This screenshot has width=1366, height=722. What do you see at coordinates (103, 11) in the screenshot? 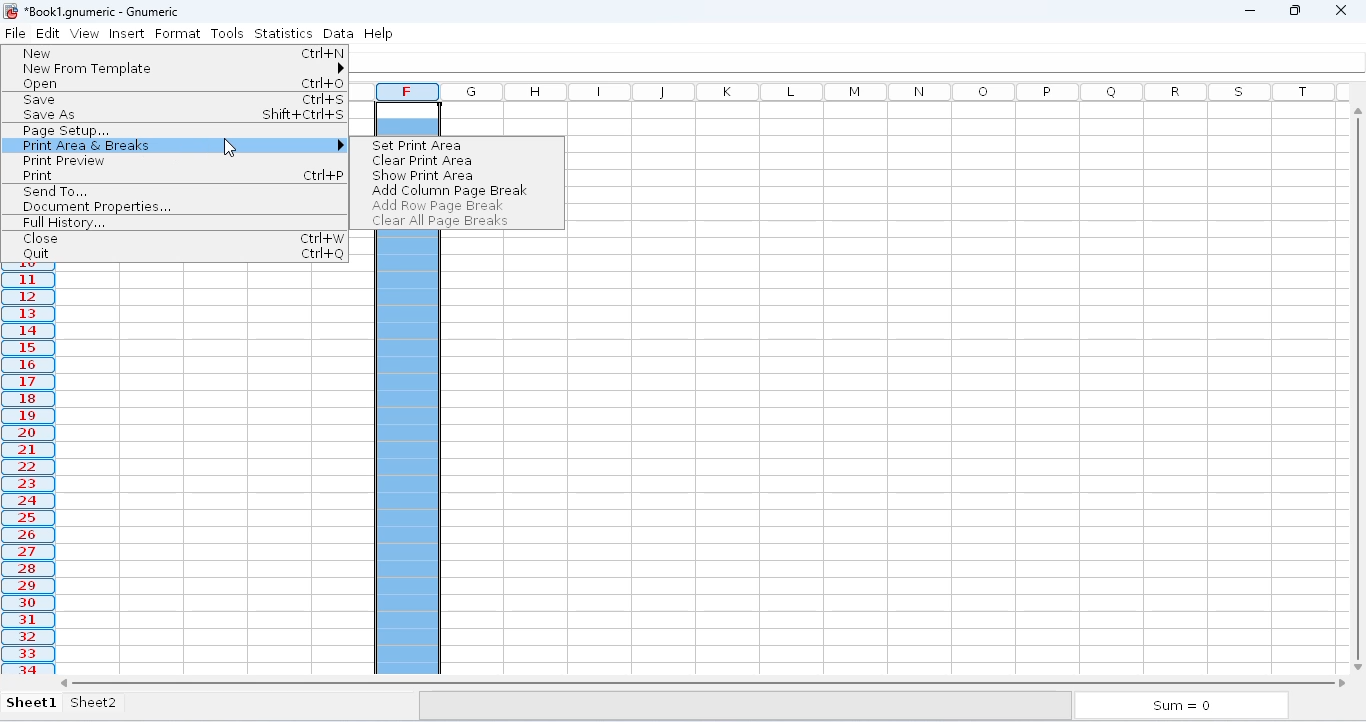
I see `Book1 numeric - Gnumeric` at bounding box center [103, 11].